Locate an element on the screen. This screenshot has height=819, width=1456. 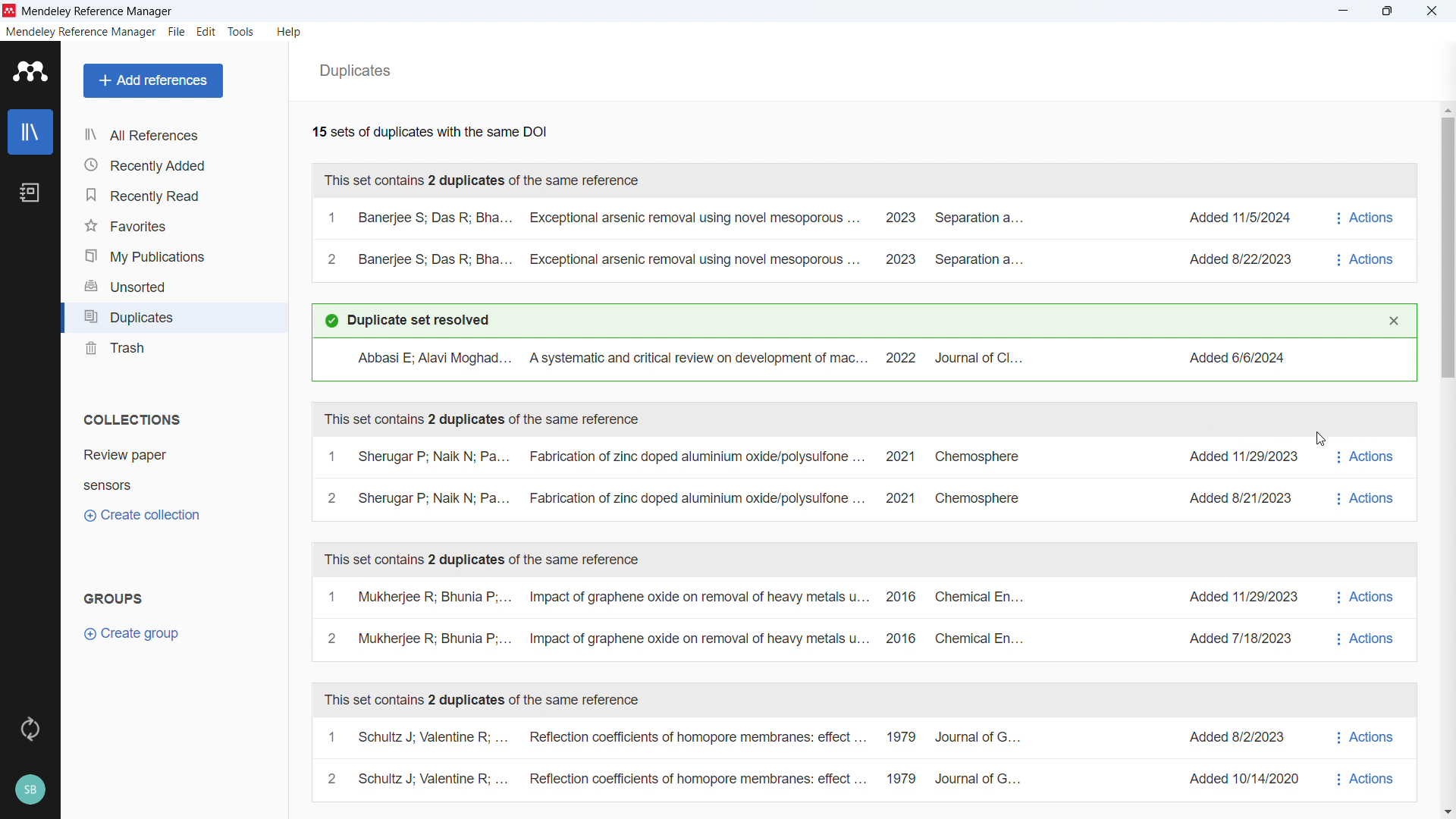
notebook is located at coordinates (32, 193).